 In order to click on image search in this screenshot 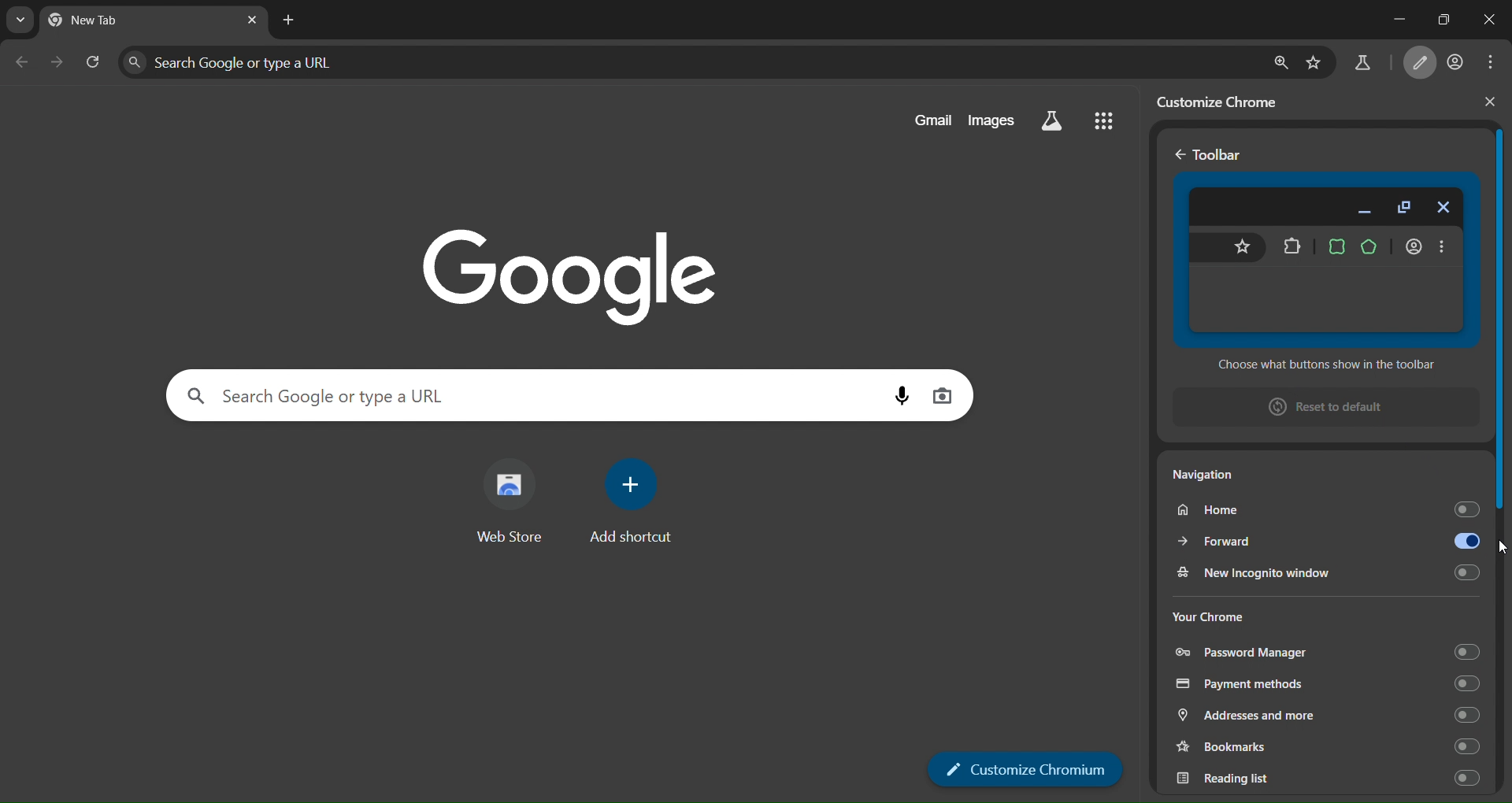, I will do `click(942, 394)`.